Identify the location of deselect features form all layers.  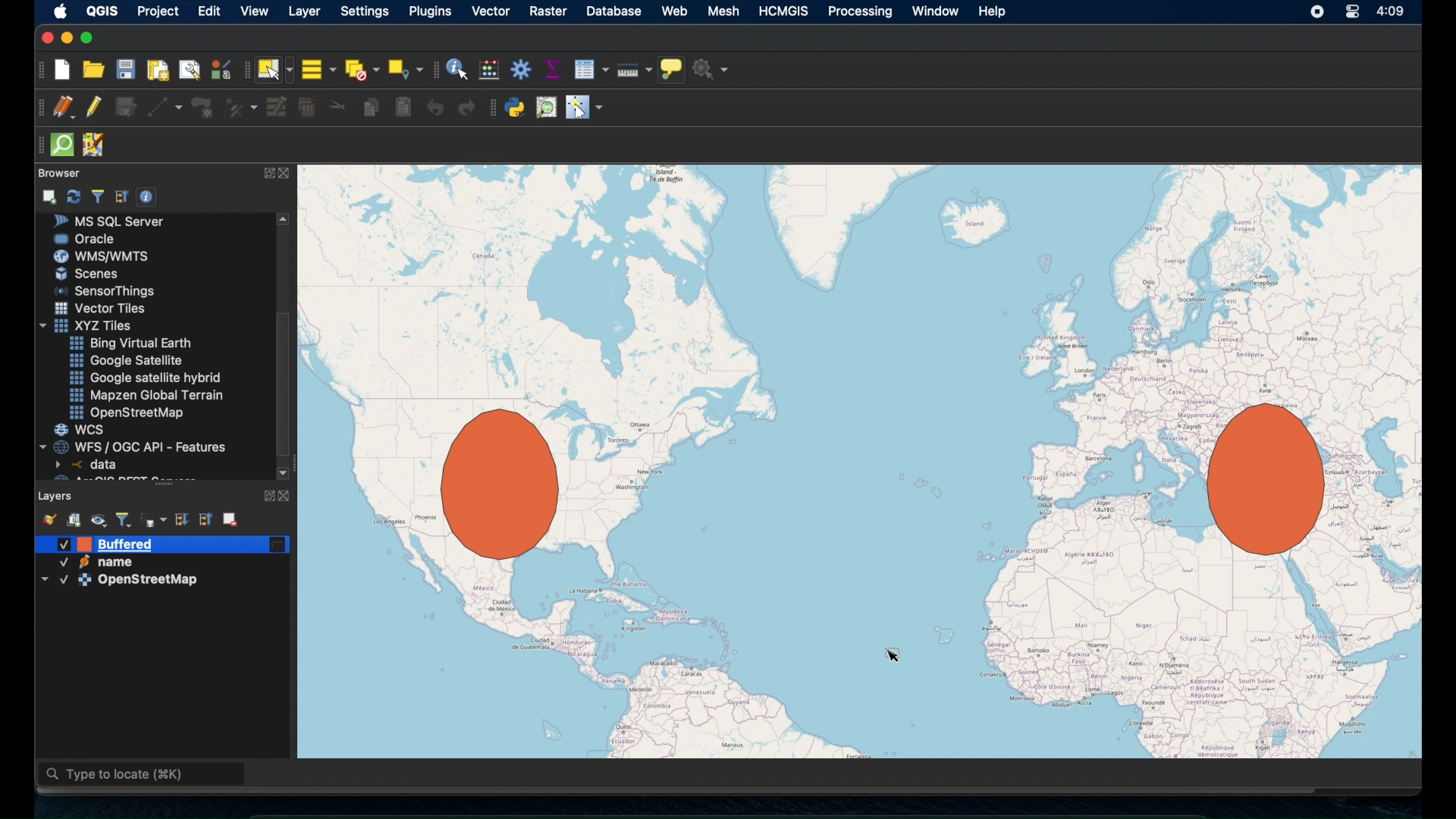
(363, 69).